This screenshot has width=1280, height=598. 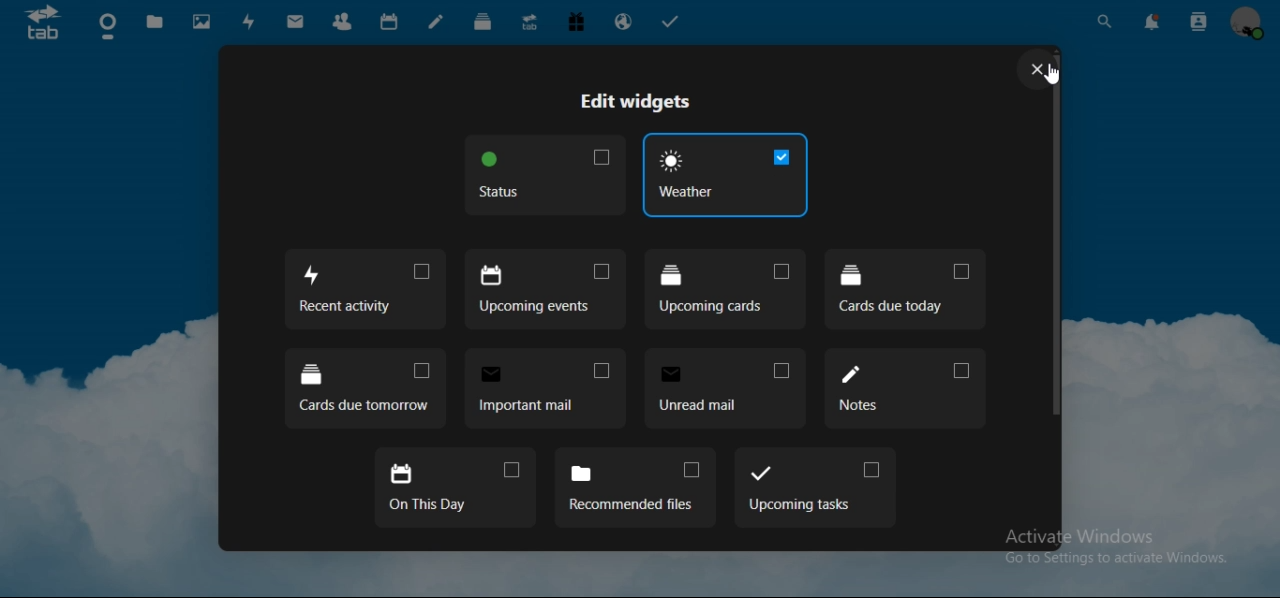 I want to click on photos, so click(x=202, y=23).